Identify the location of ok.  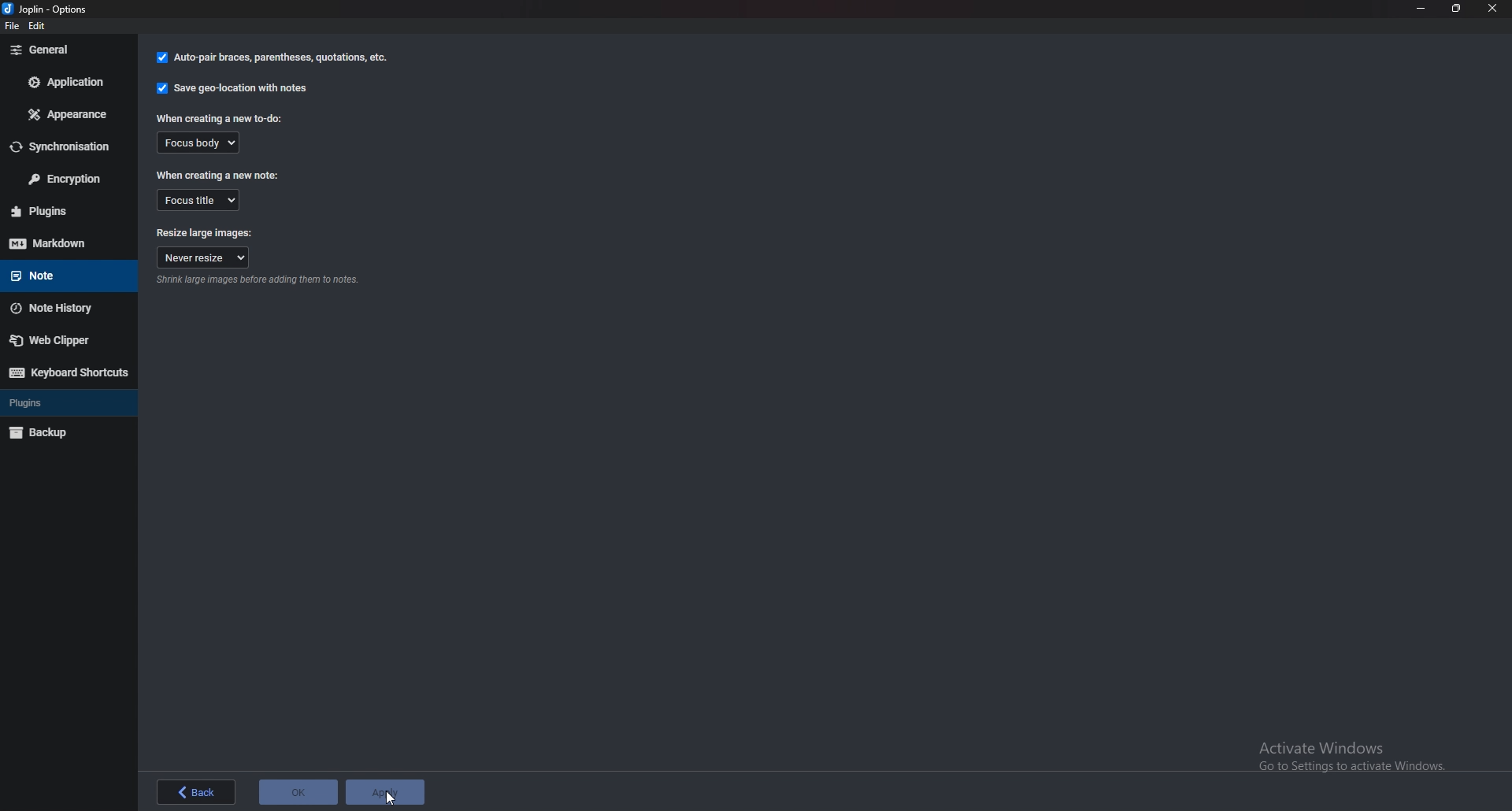
(298, 791).